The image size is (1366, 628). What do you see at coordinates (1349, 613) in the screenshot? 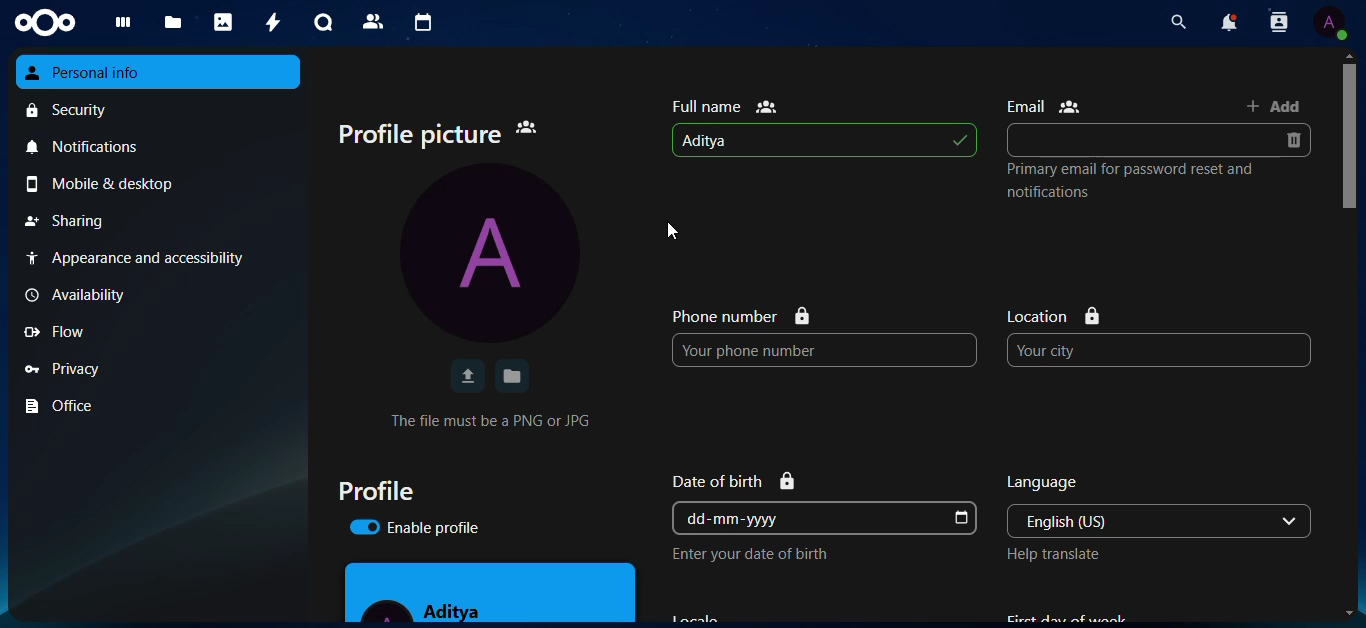
I see `scroll down` at bounding box center [1349, 613].